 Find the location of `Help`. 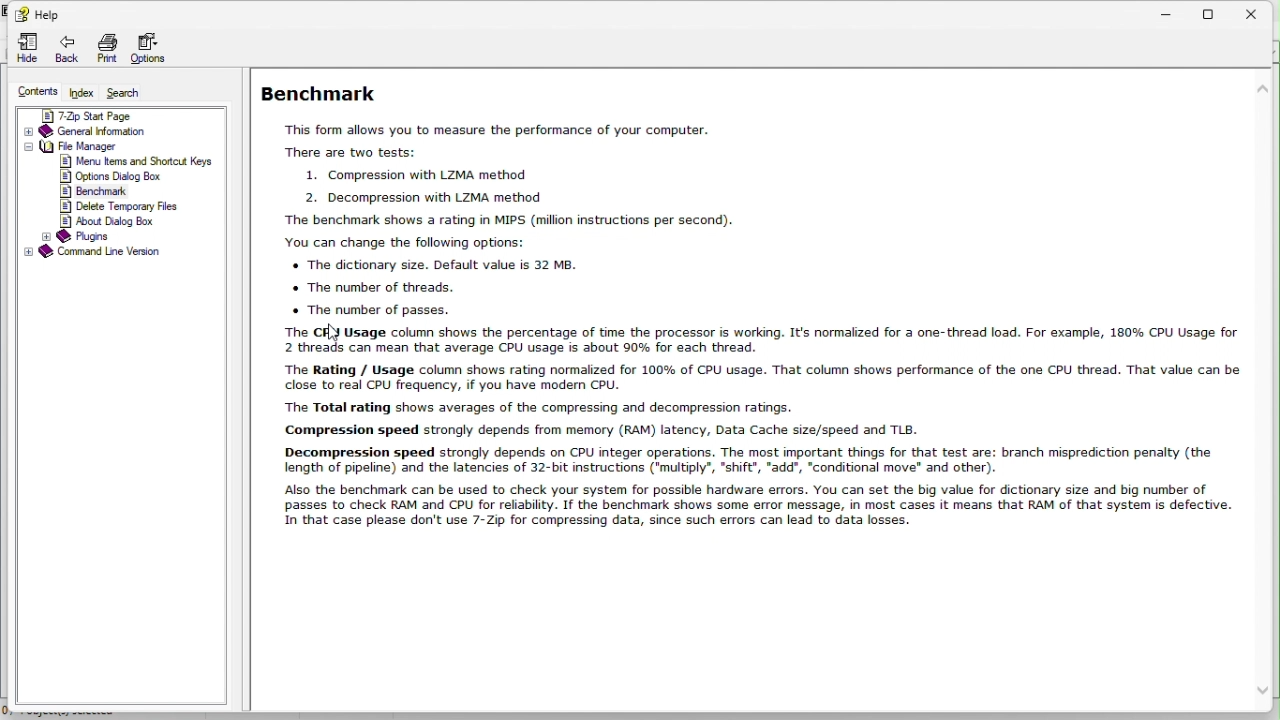

Help is located at coordinates (39, 14).